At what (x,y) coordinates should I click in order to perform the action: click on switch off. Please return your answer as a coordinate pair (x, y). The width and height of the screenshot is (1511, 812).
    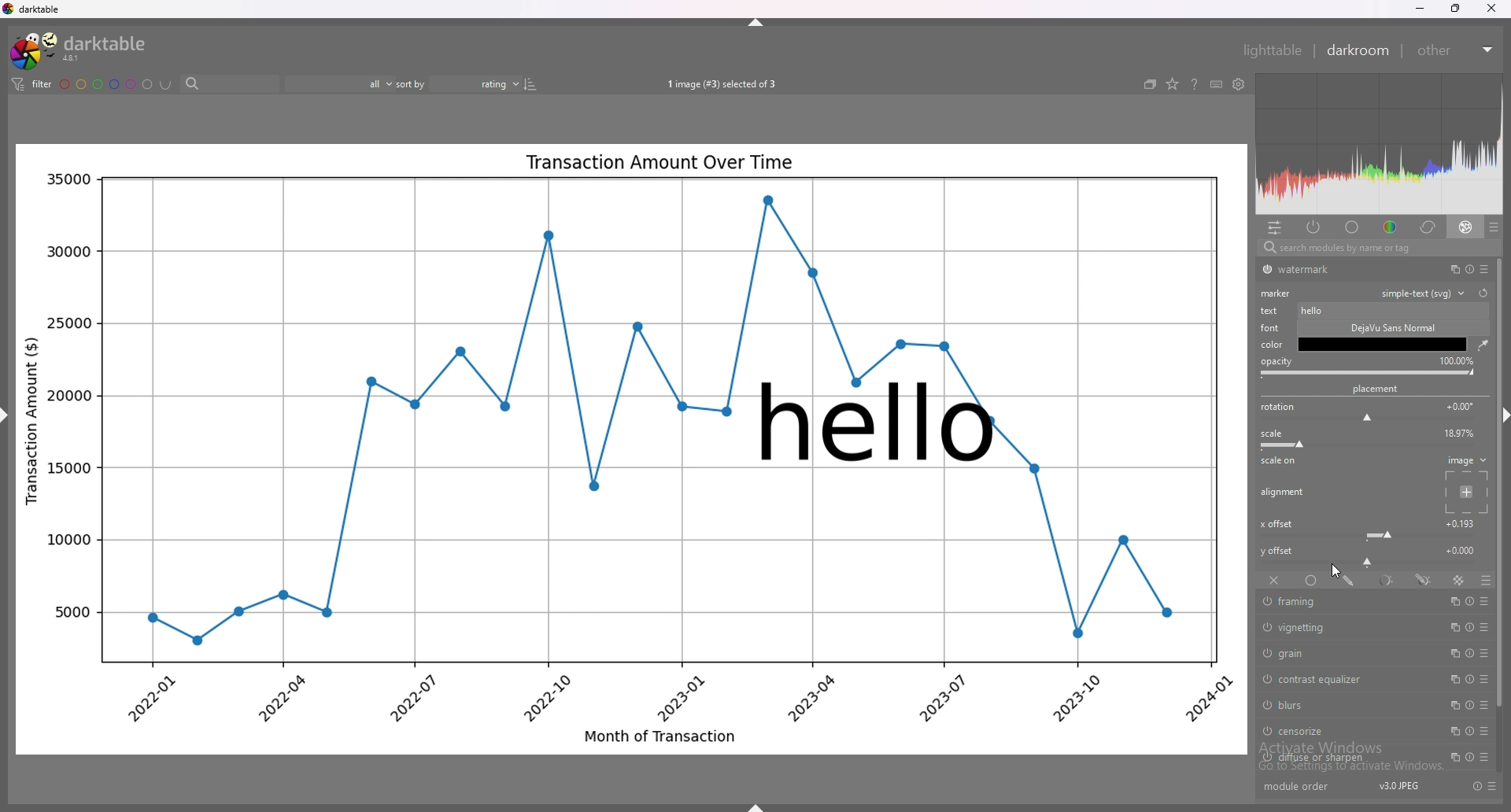
    Looking at the image, I should click on (1267, 627).